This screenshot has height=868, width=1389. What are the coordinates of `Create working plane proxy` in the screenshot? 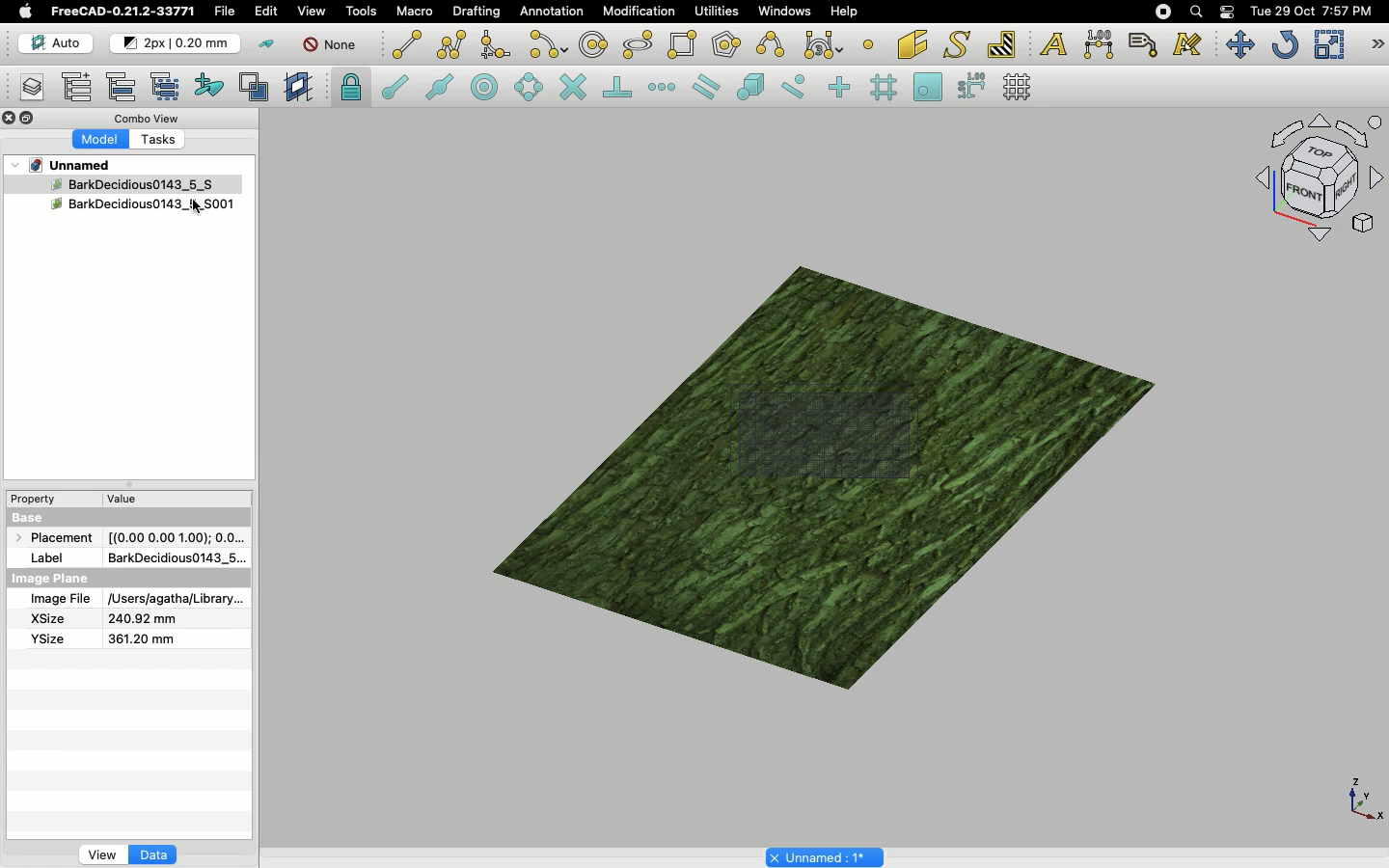 It's located at (301, 88).